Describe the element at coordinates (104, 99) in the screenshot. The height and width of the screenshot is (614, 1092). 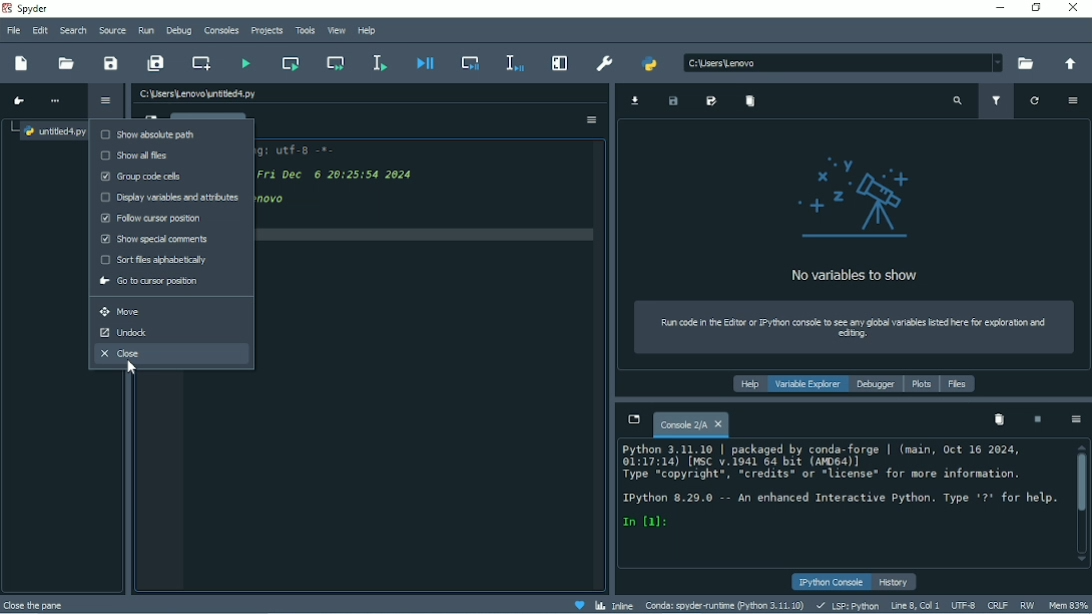
I see `Options` at that location.